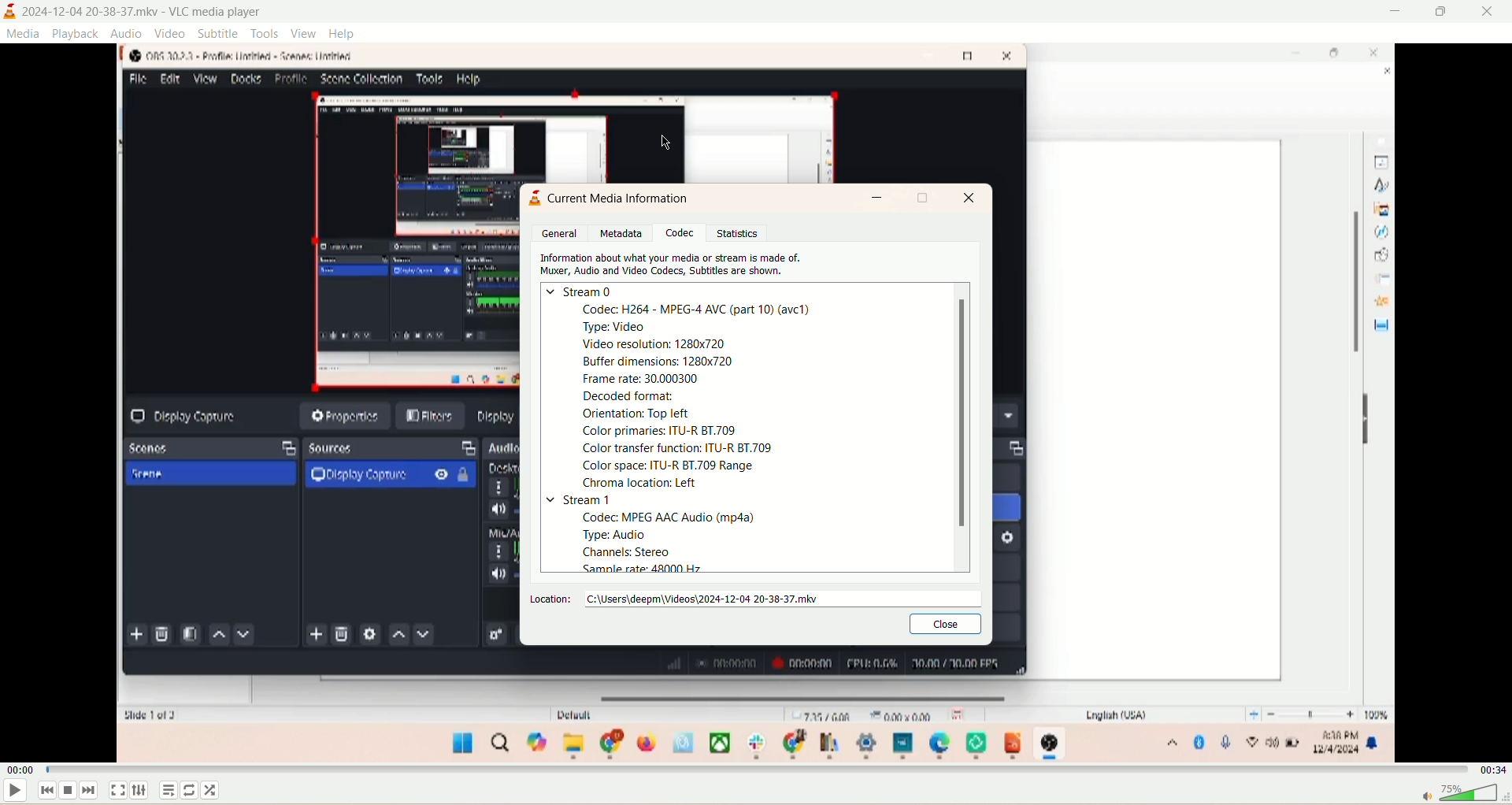 The height and width of the screenshot is (805, 1512). Describe the element at coordinates (678, 544) in the screenshot. I see `text` at that location.